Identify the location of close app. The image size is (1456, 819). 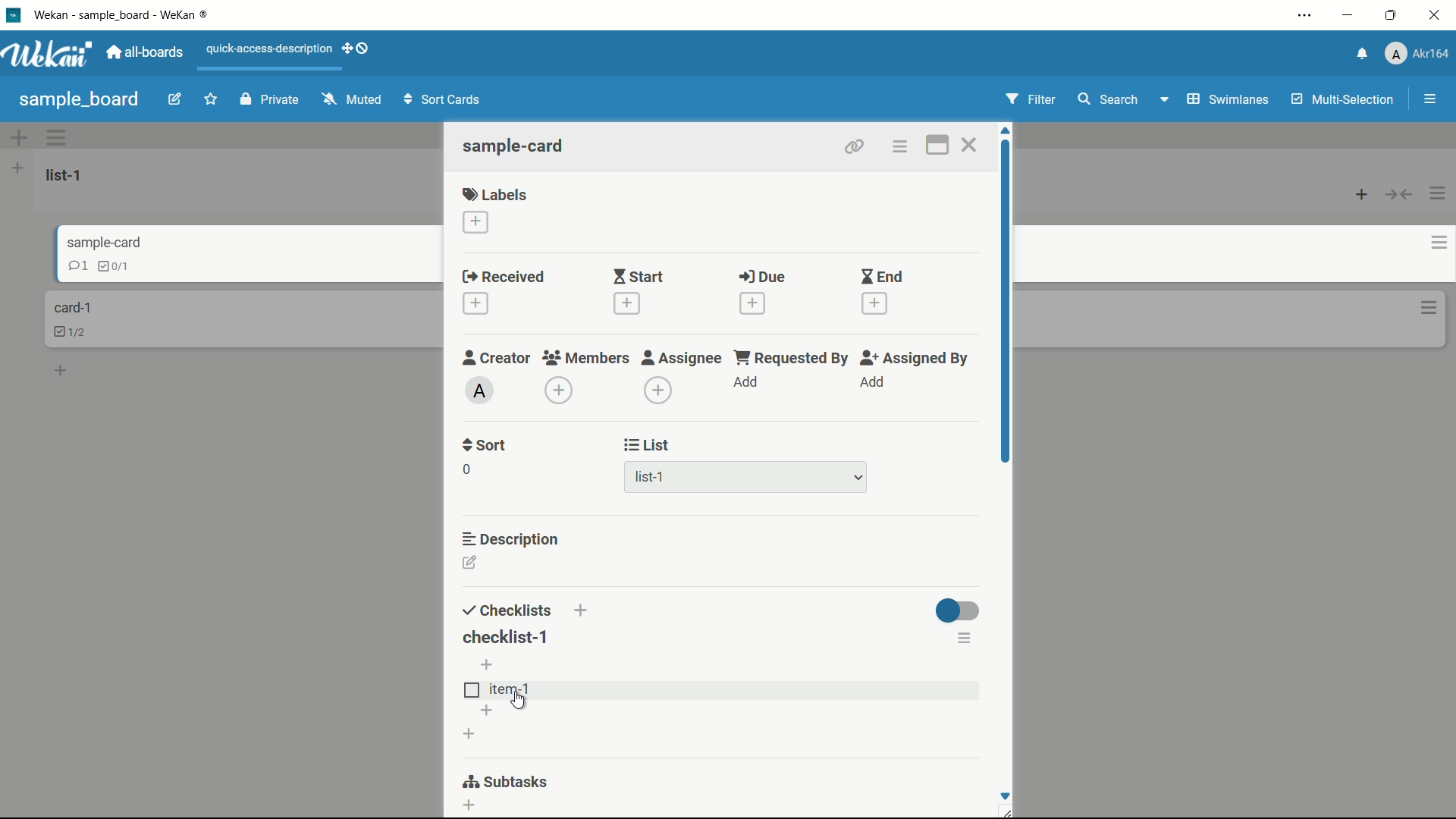
(1434, 15).